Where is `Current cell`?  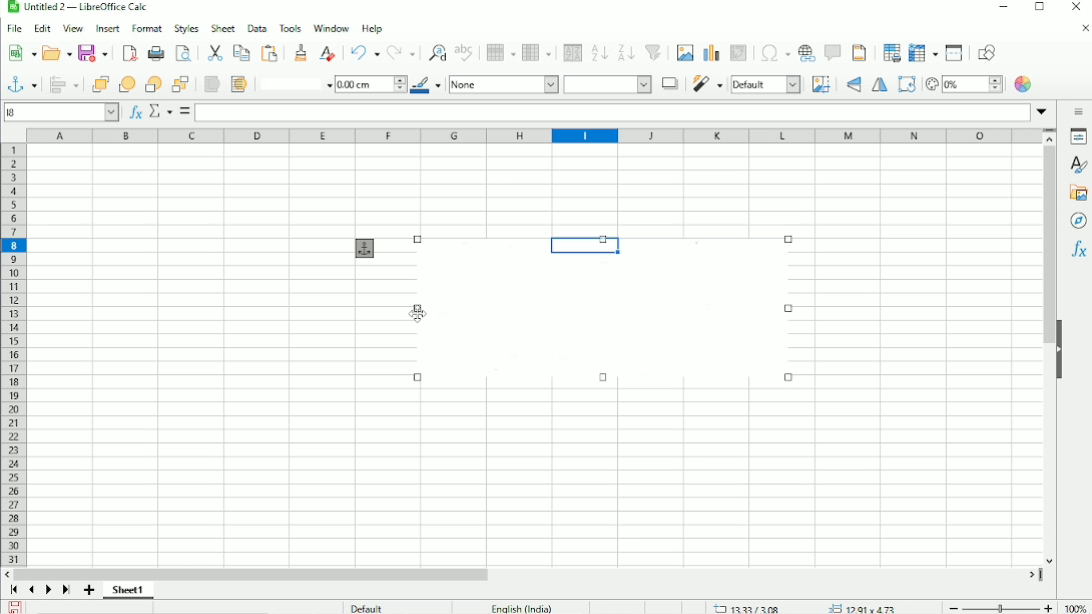 Current cell is located at coordinates (62, 111).